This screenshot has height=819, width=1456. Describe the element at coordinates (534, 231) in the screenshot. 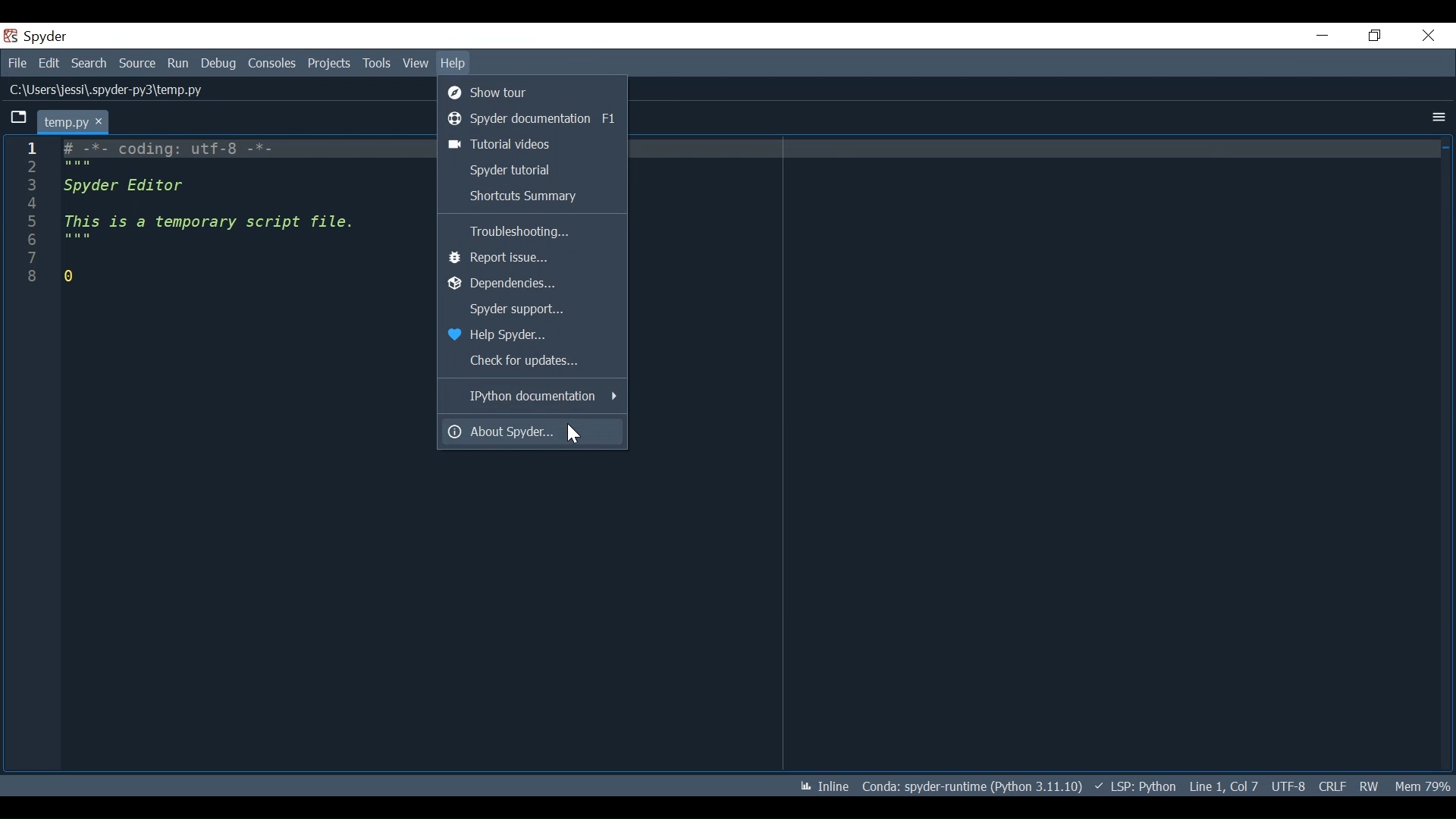

I see `Troubleshooting` at that location.